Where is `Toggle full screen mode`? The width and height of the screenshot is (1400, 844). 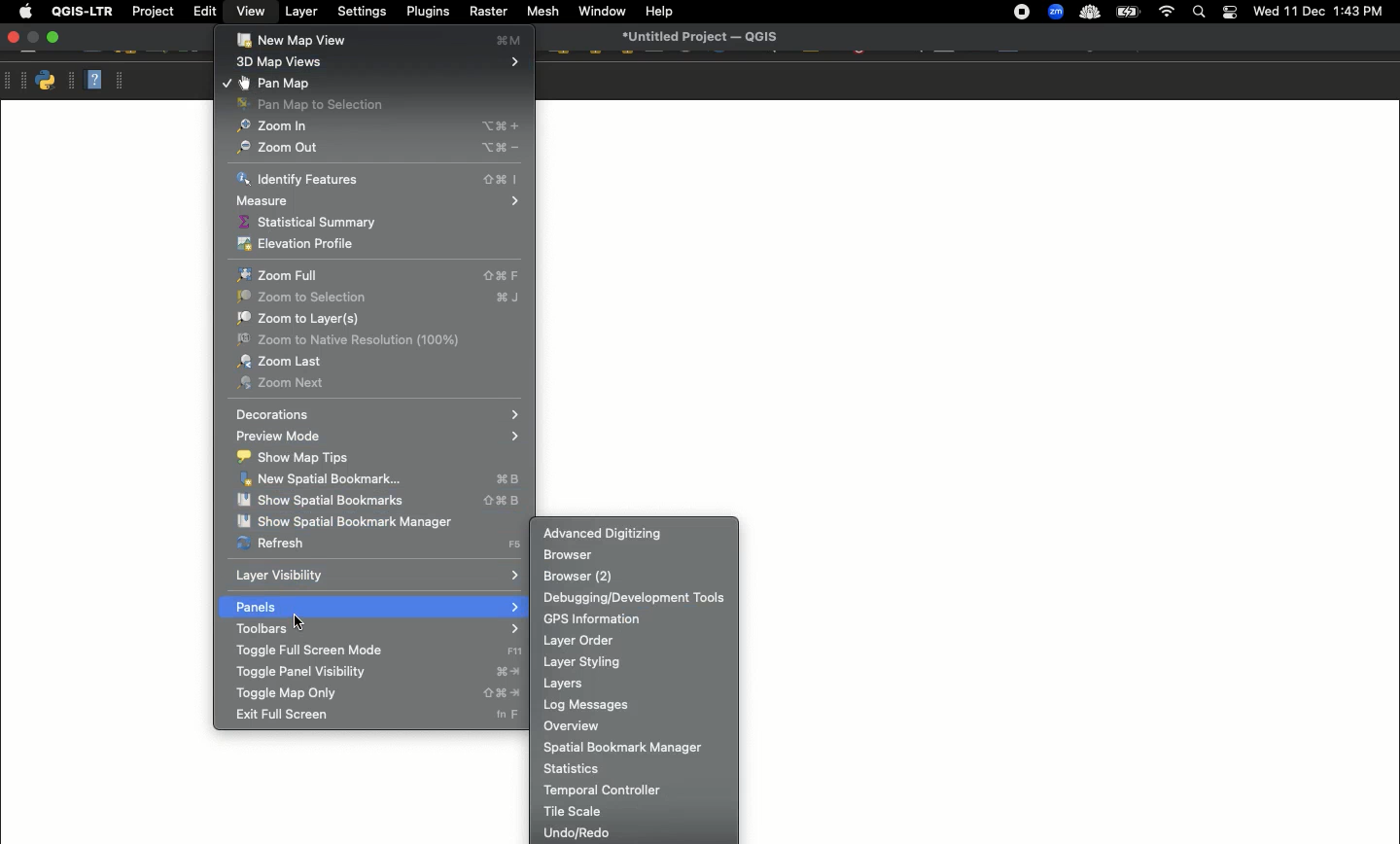 Toggle full screen mode is located at coordinates (380, 651).